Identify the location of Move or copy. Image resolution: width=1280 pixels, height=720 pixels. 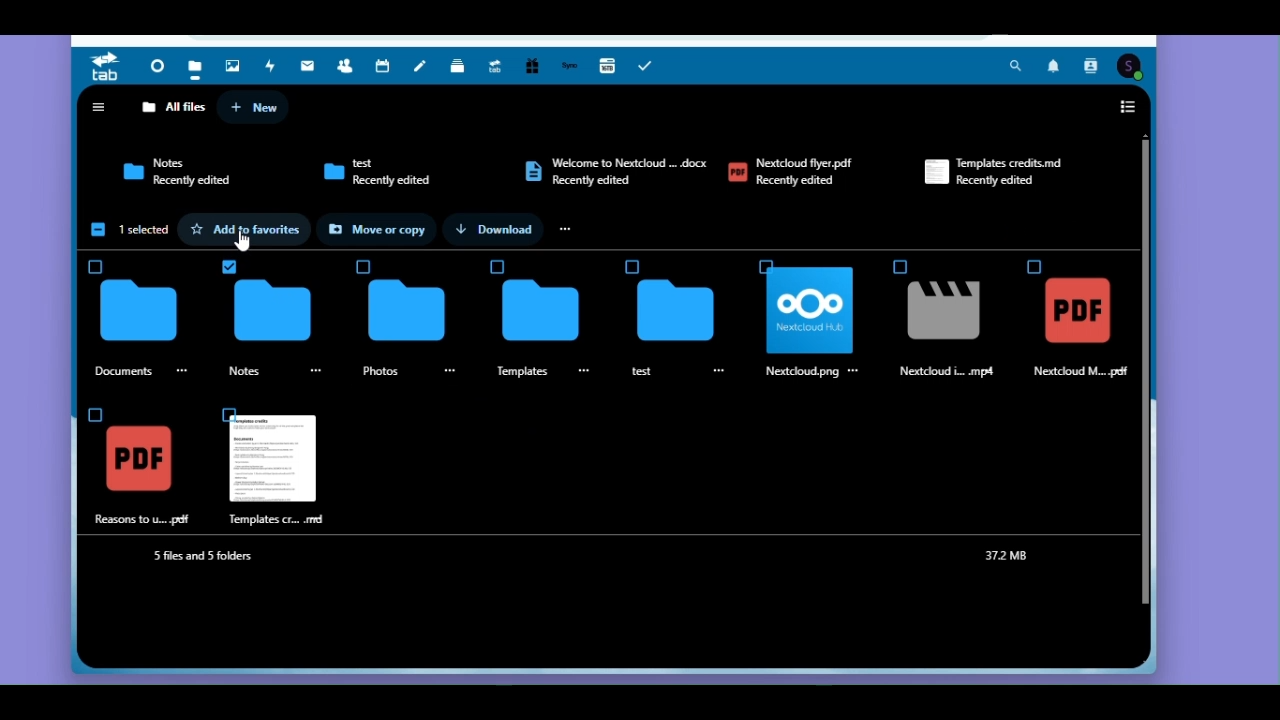
(377, 233).